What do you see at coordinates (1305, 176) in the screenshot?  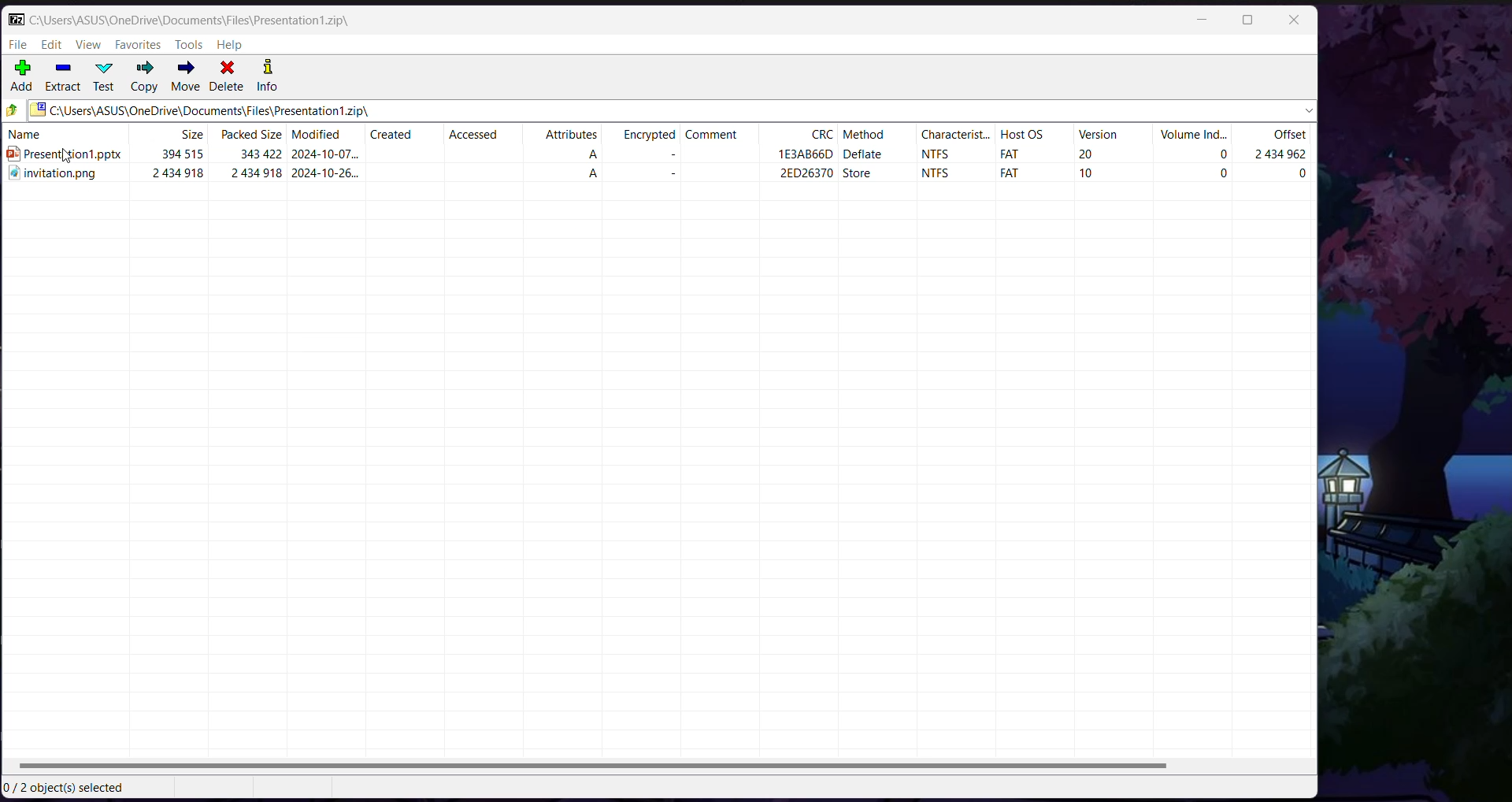 I see `0` at bounding box center [1305, 176].